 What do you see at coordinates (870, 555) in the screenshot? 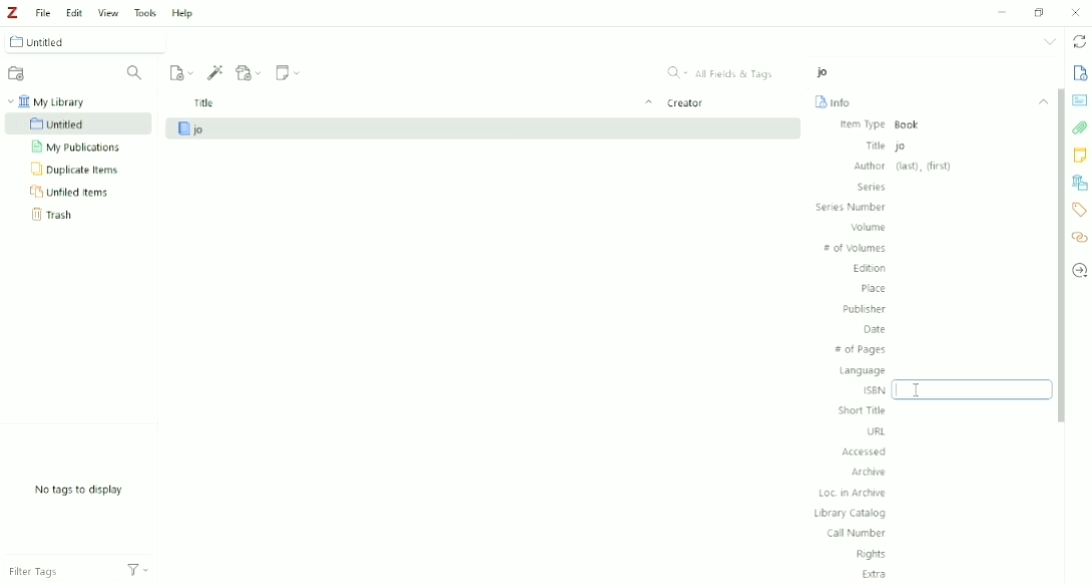
I see `Rights` at bounding box center [870, 555].